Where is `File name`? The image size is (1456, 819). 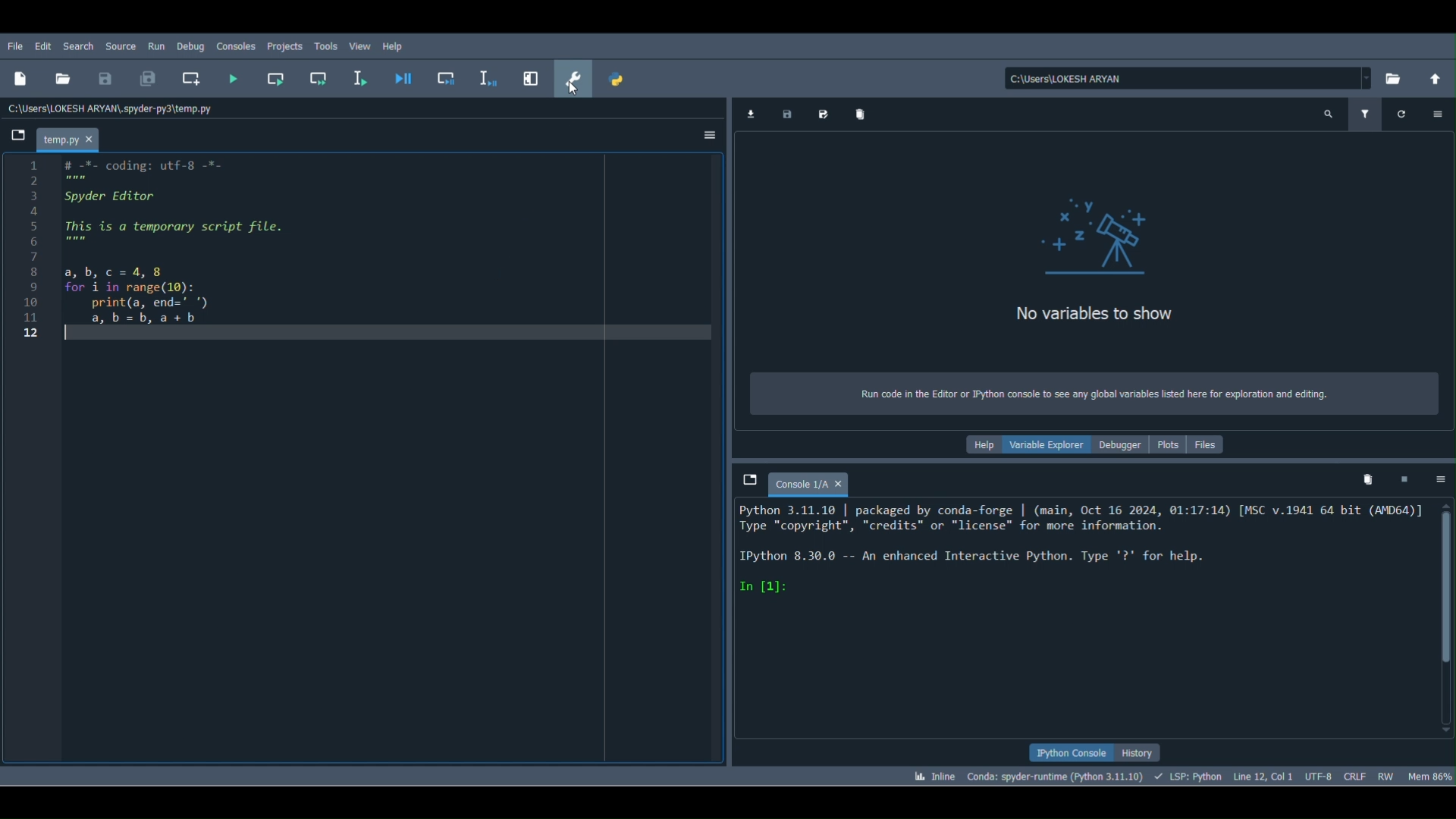
File name is located at coordinates (72, 135).